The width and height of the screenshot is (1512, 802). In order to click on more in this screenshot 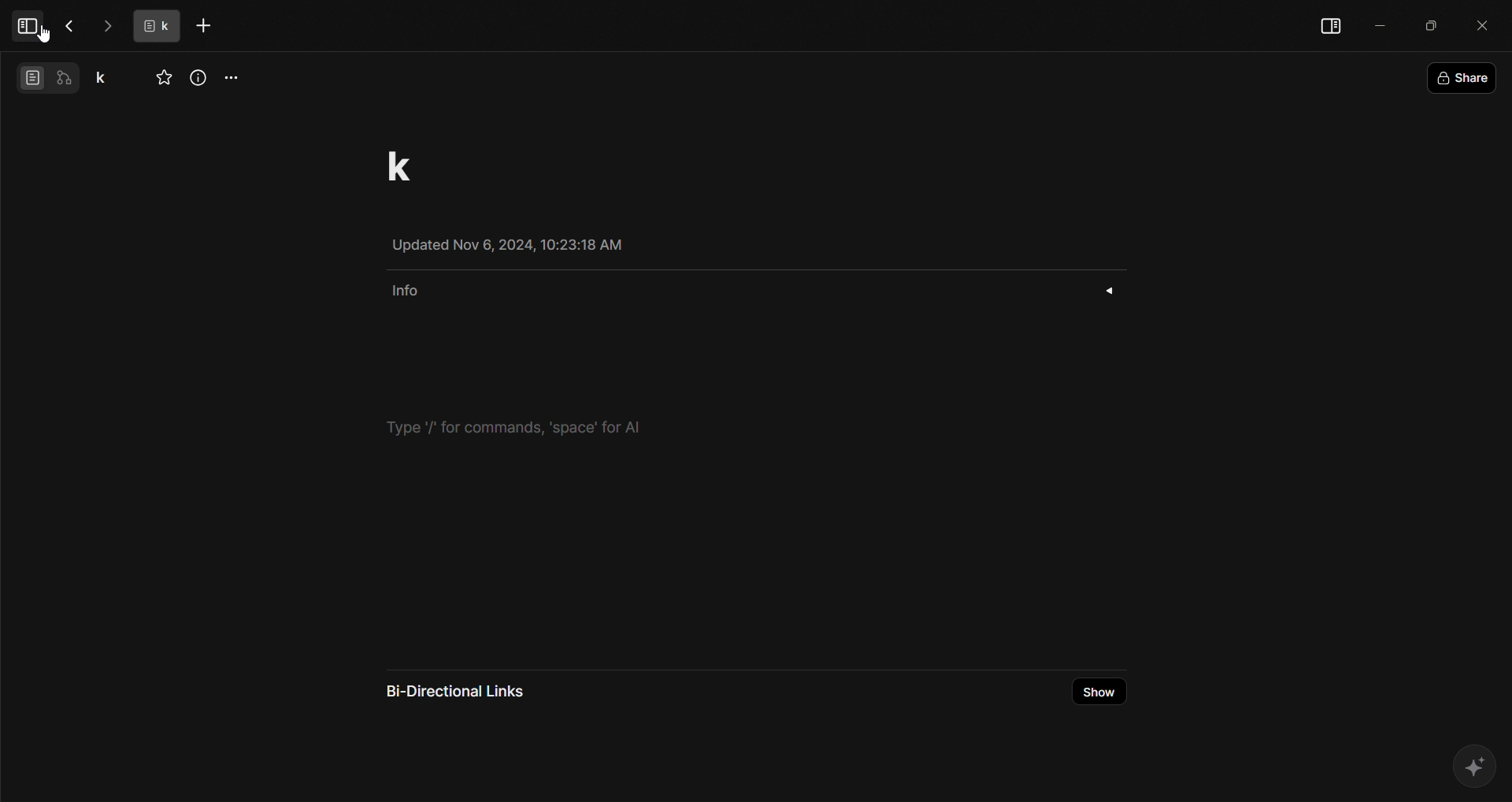, I will do `click(235, 79)`.